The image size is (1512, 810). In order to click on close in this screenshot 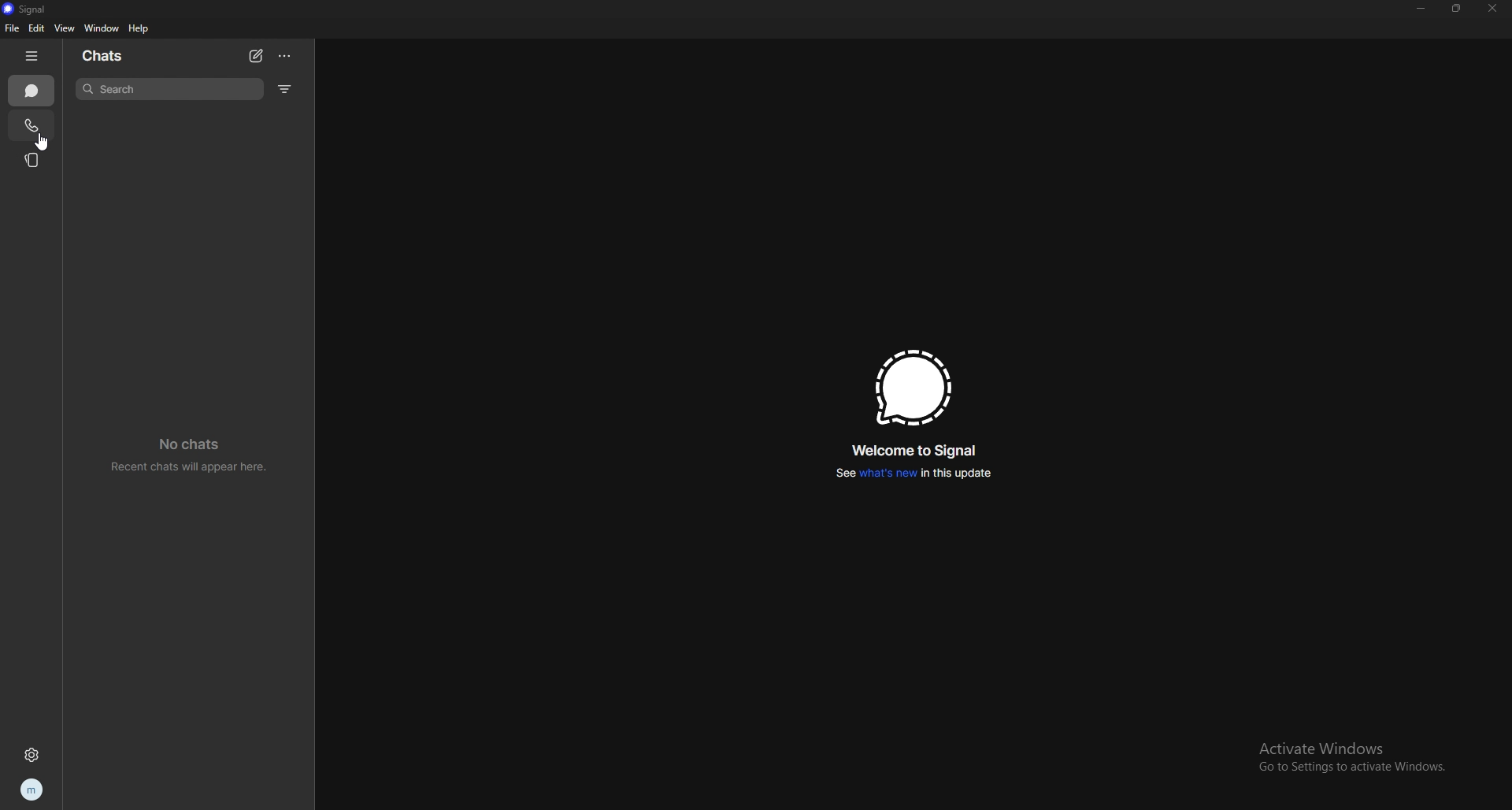, I will do `click(1492, 9)`.